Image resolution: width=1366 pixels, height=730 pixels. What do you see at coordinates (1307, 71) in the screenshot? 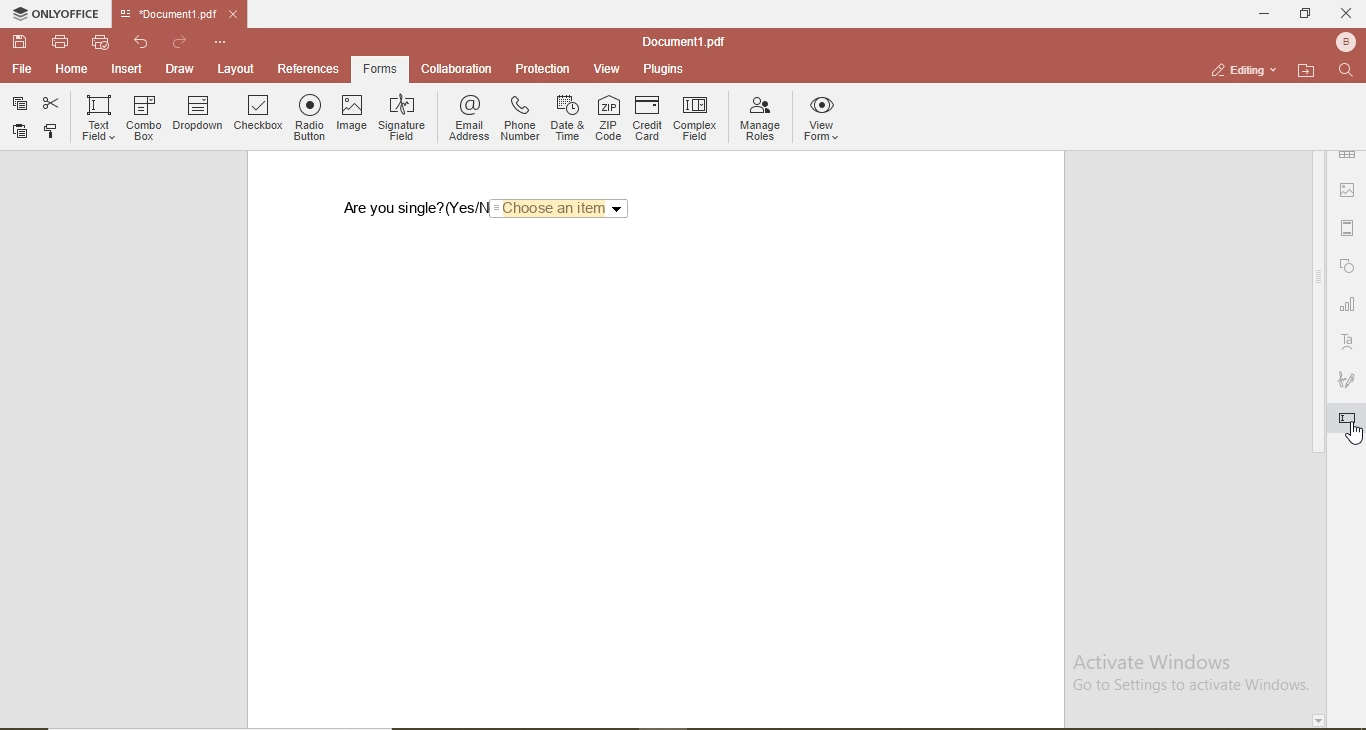
I see `open file location` at bounding box center [1307, 71].